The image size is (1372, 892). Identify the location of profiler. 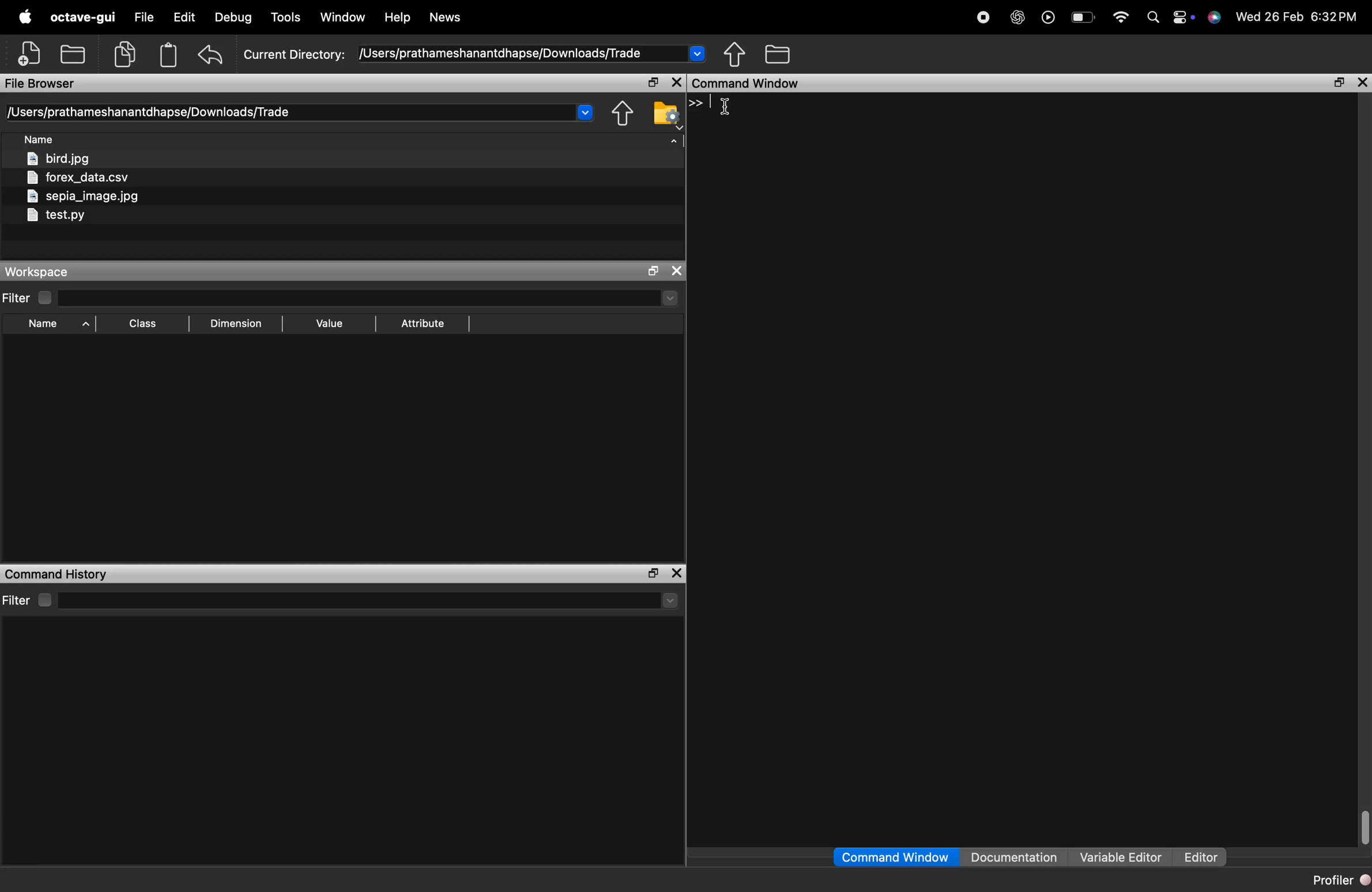
(1337, 880).